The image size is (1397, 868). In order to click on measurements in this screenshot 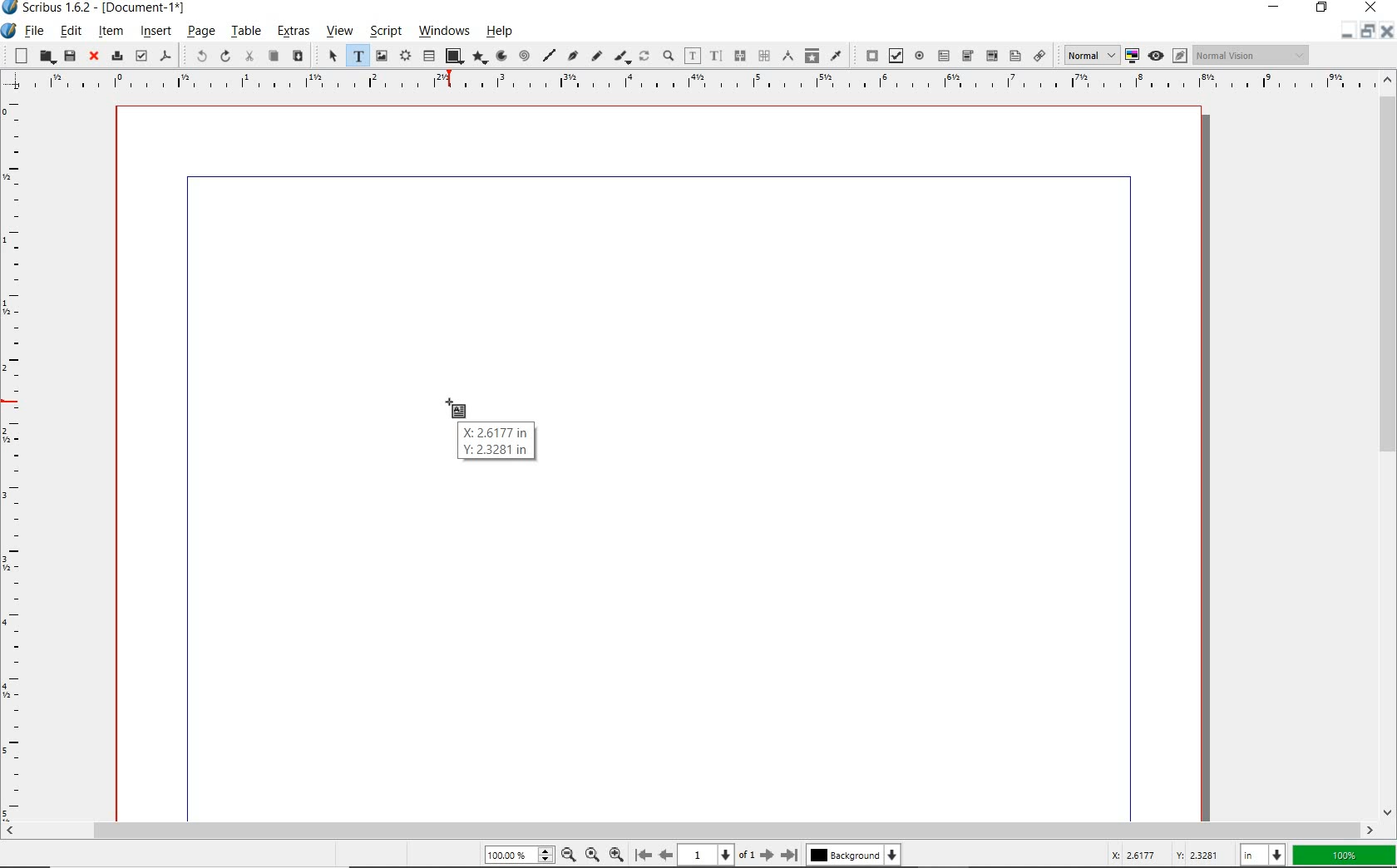, I will do `click(786, 55)`.